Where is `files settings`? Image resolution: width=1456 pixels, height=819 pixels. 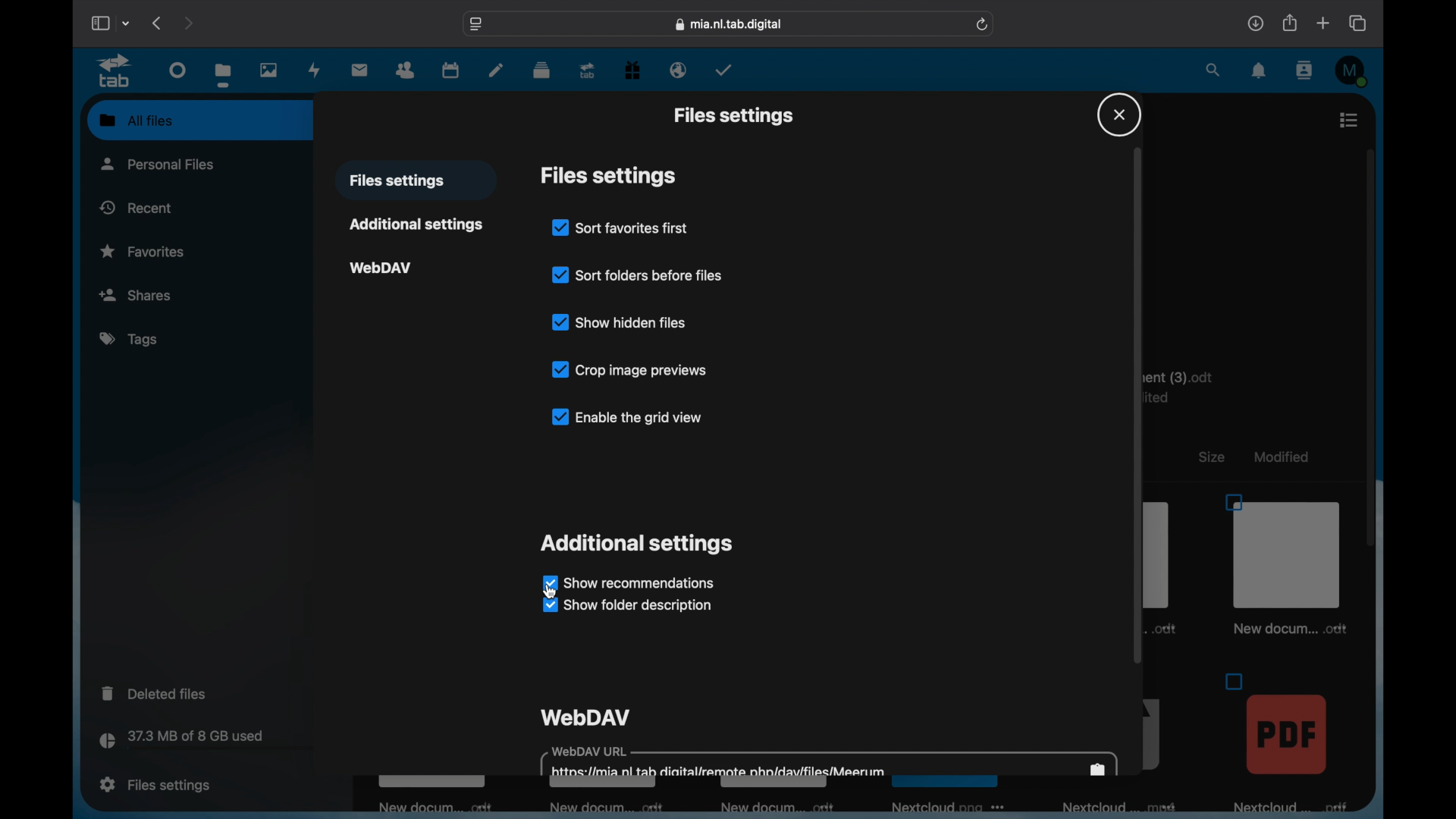 files settings is located at coordinates (734, 117).